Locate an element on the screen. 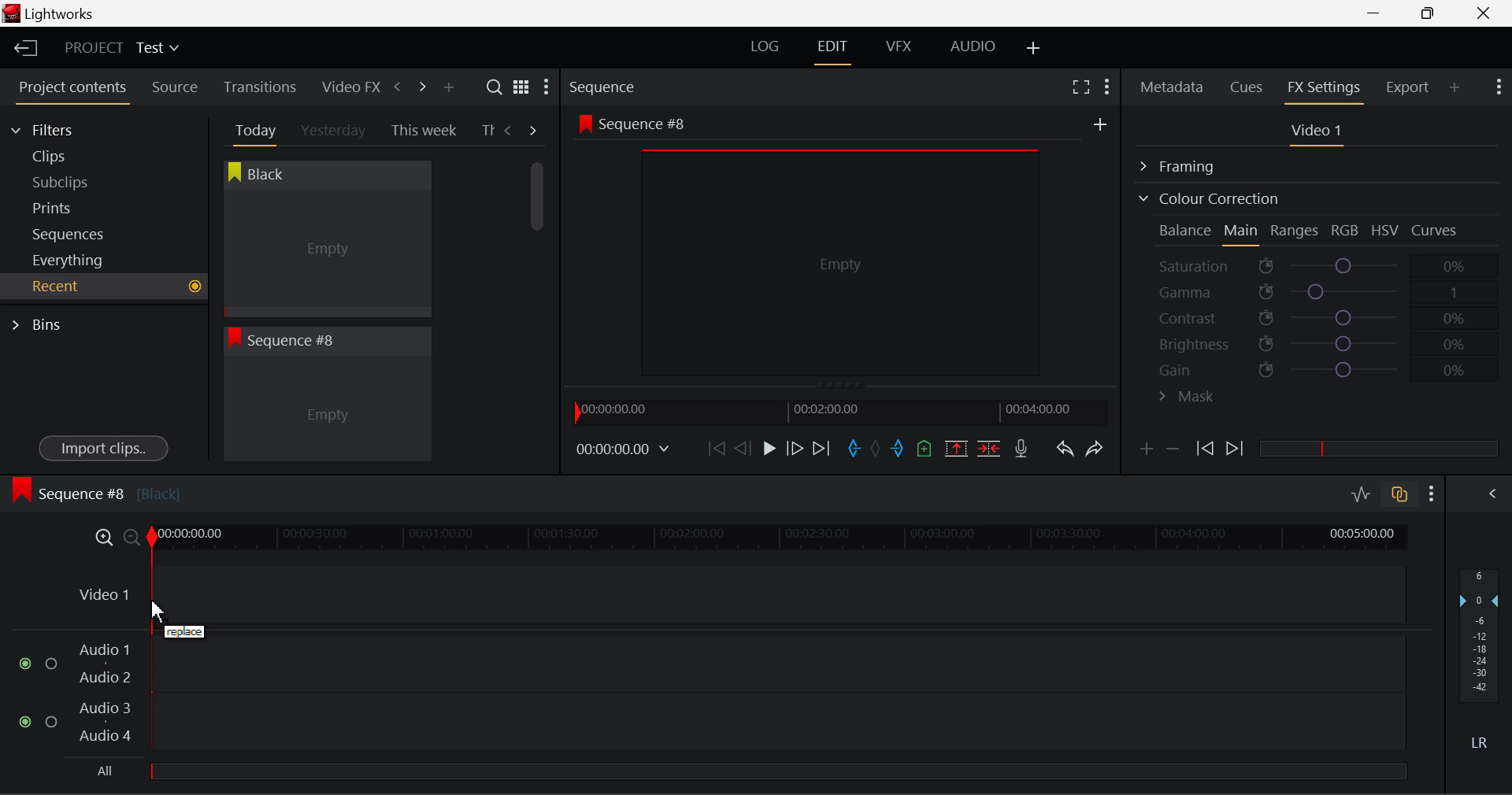 The image size is (1512, 795). Sequence Preview Section is located at coordinates (606, 88).